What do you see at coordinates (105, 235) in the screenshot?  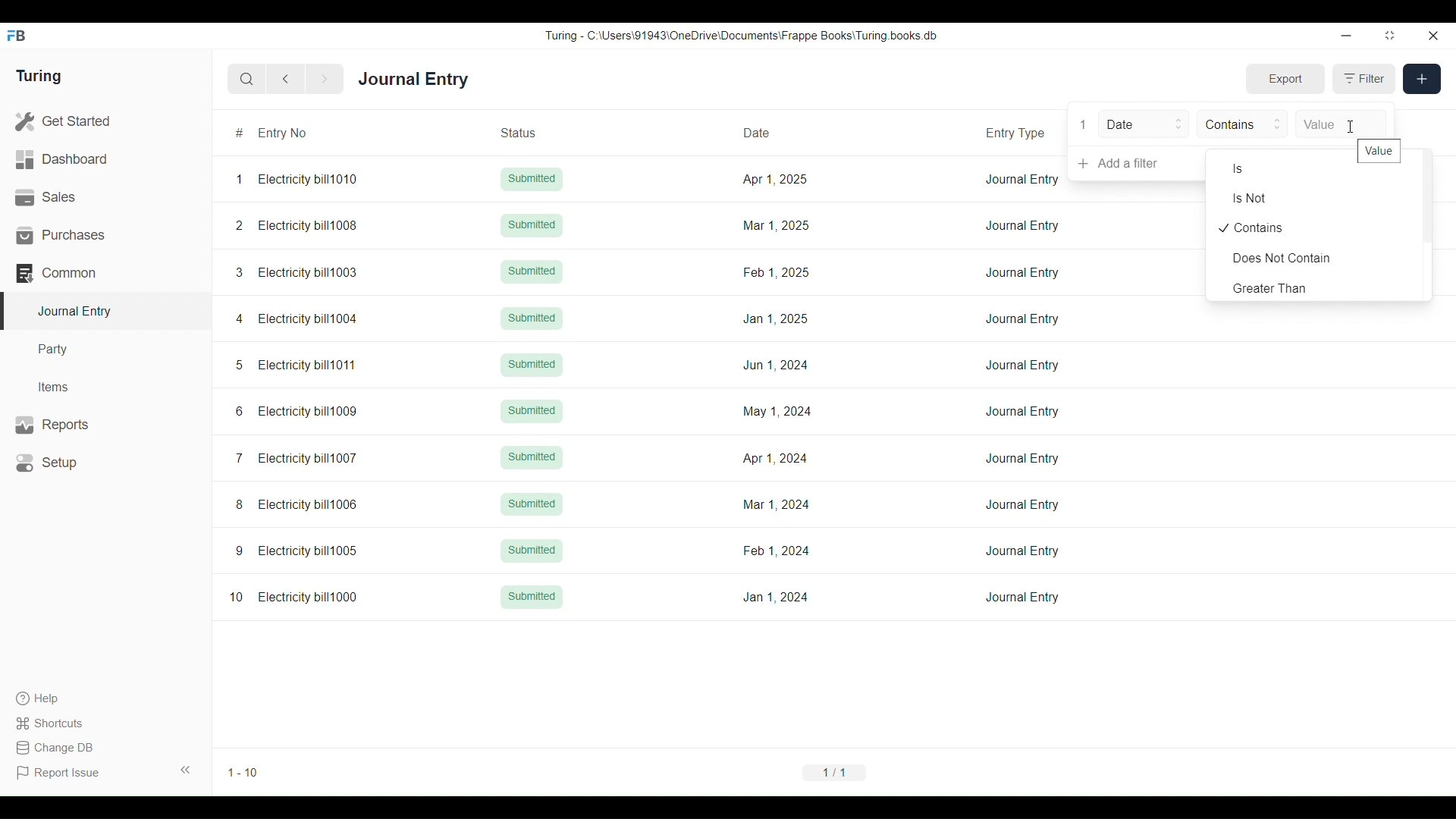 I see `Purchases` at bounding box center [105, 235].